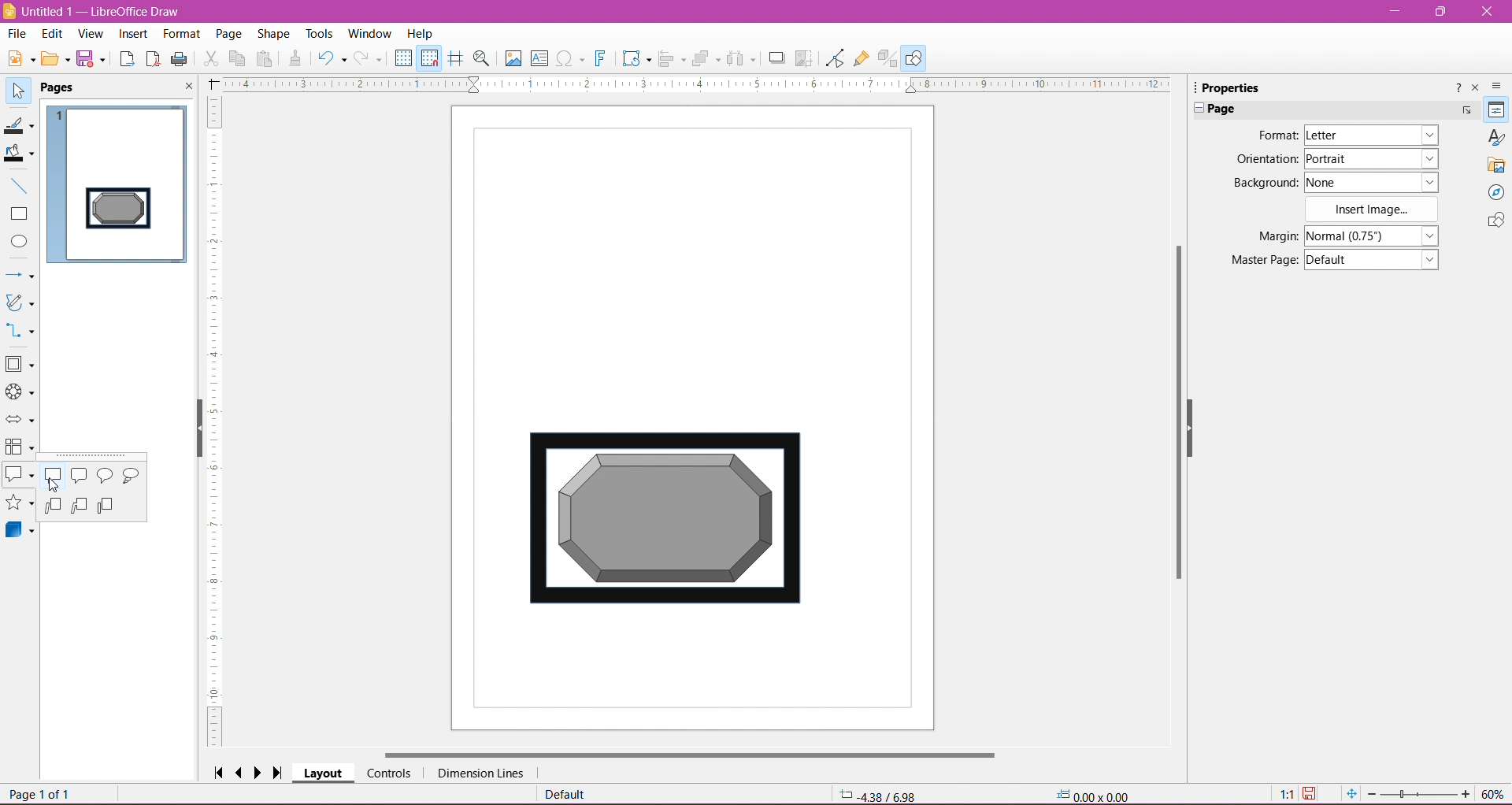 The width and height of the screenshot is (1512, 805). Describe the element at coordinates (1195, 109) in the screenshot. I see `Expand/Close pane` at that location.